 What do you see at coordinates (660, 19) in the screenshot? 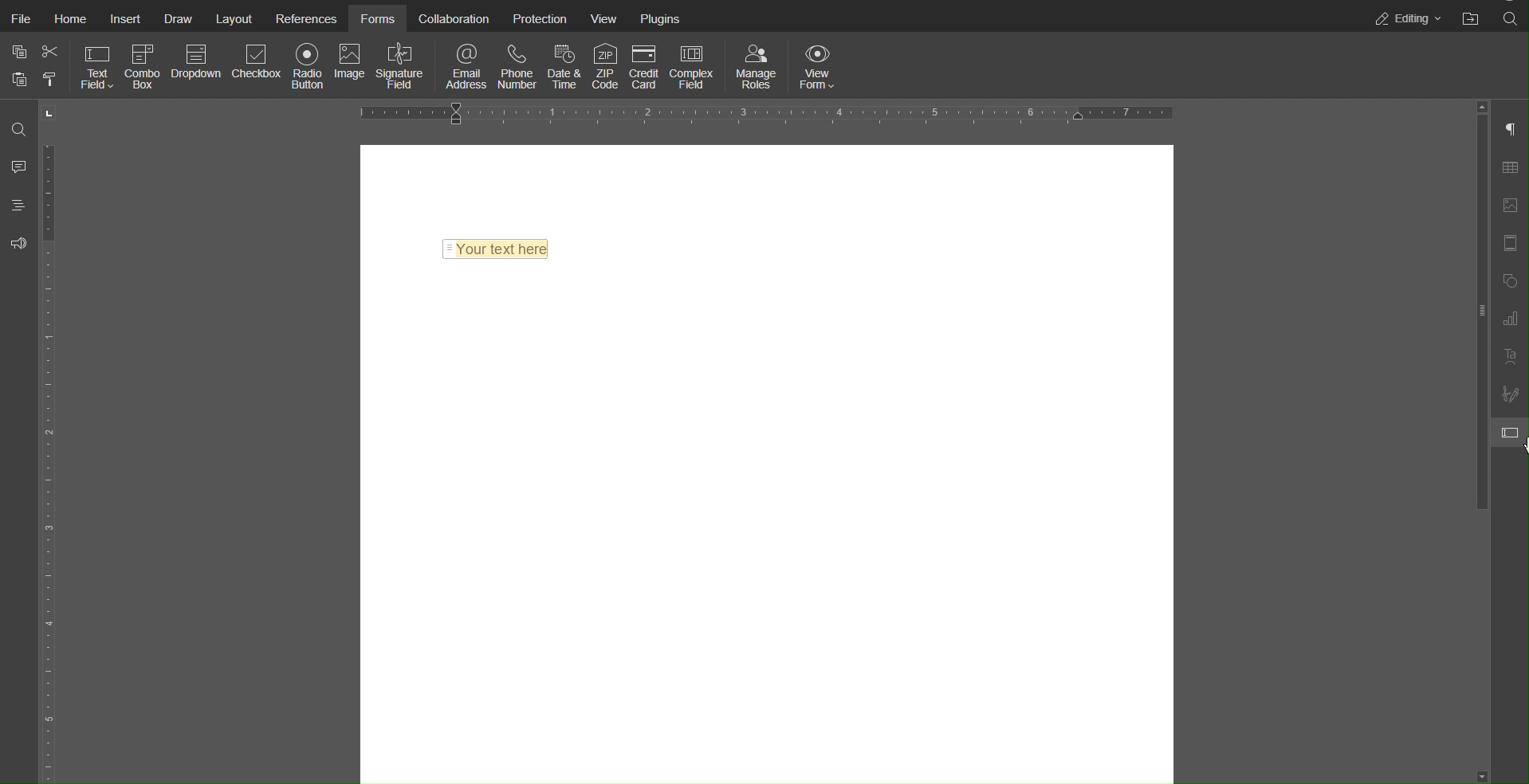
I see `Plugins` at bounding box center [660, 19].